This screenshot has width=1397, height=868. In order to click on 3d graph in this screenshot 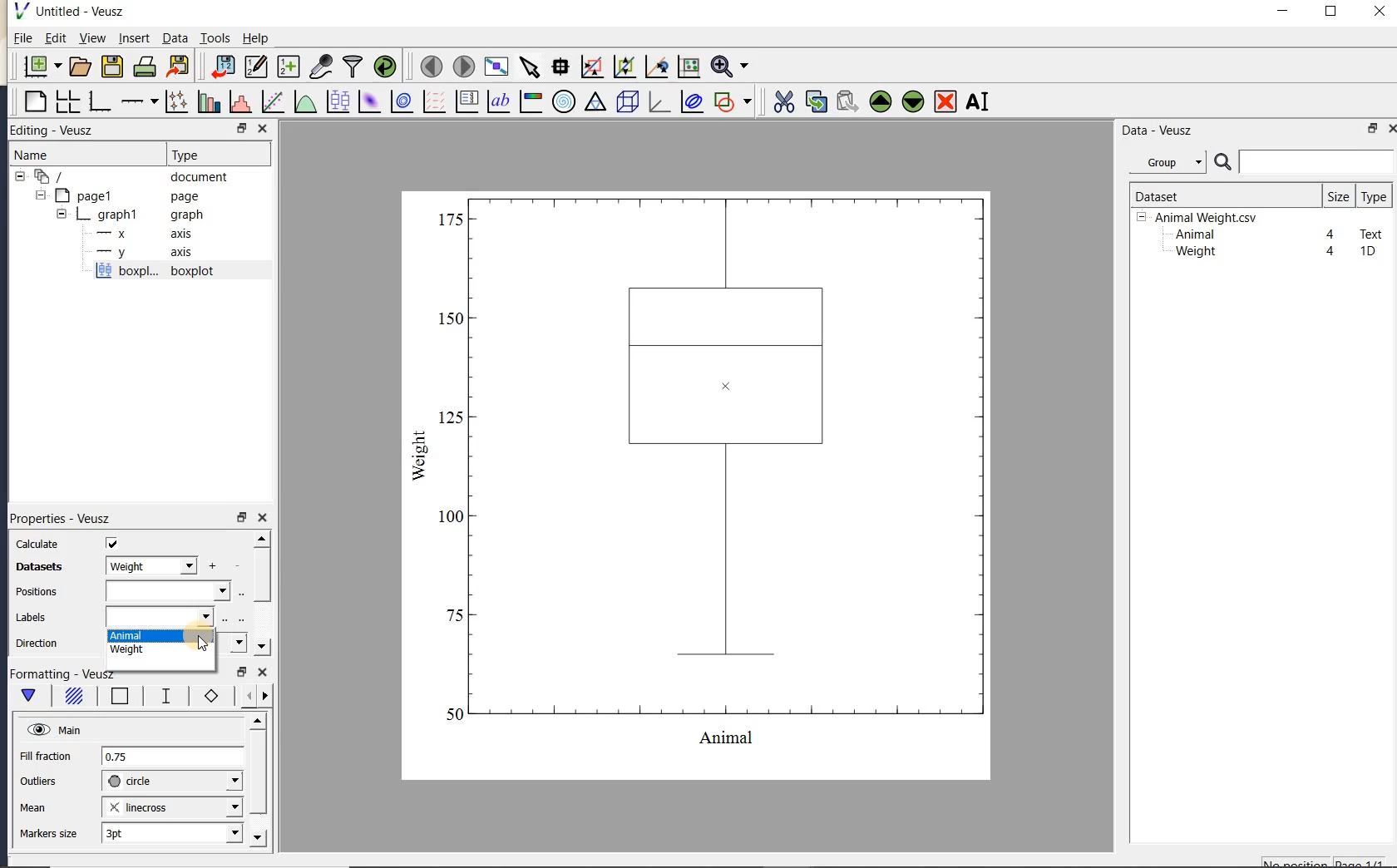, I will do `click(657, 101)`.